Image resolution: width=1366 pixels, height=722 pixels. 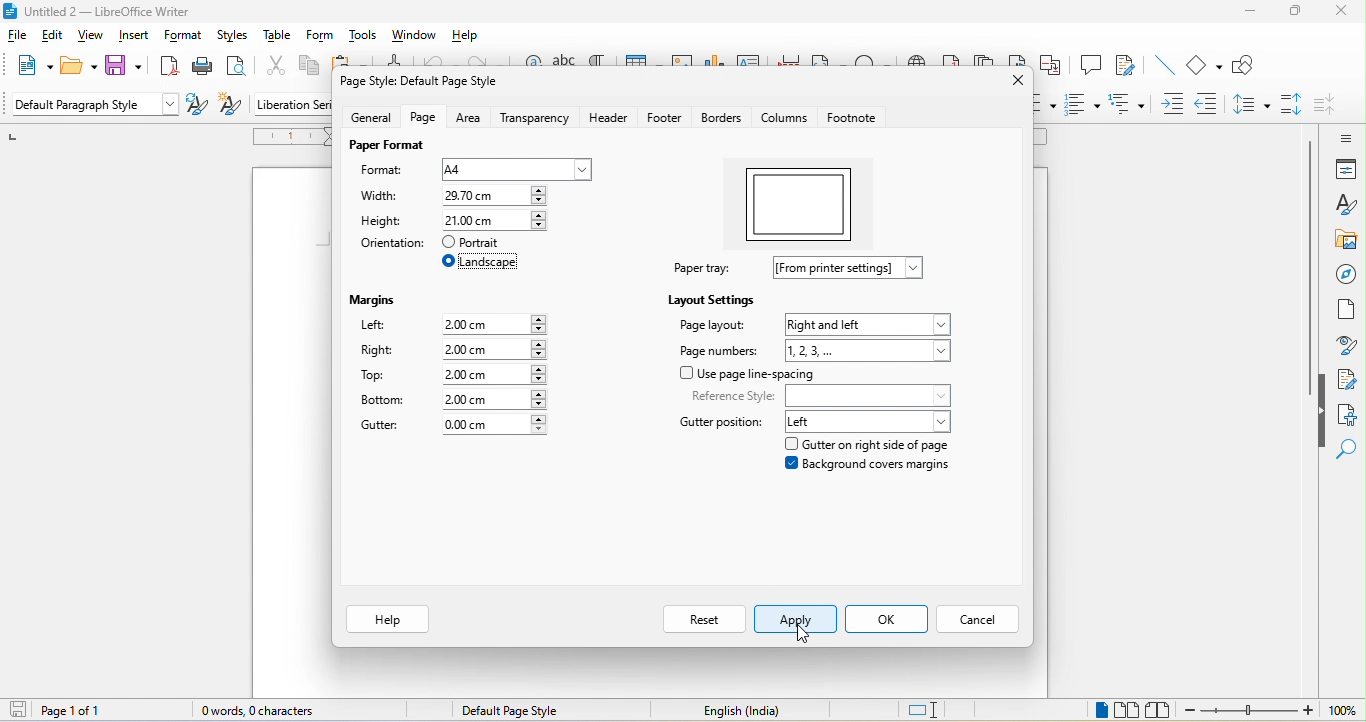 I want to click on 29.70 cm, so click(x=497, y=219).